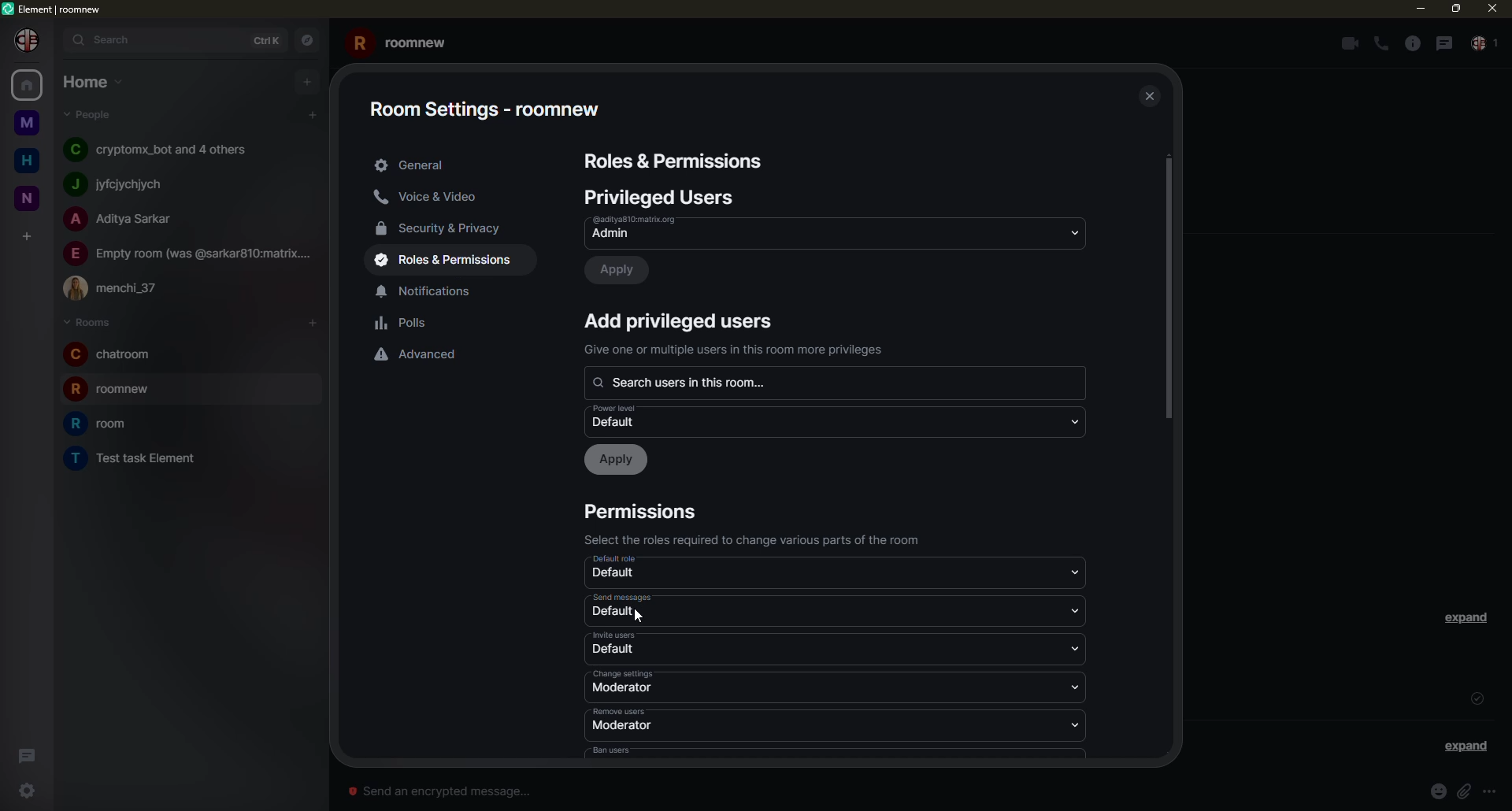 The image size is (1512, 811). I want to click on info, so click(1410, 43).